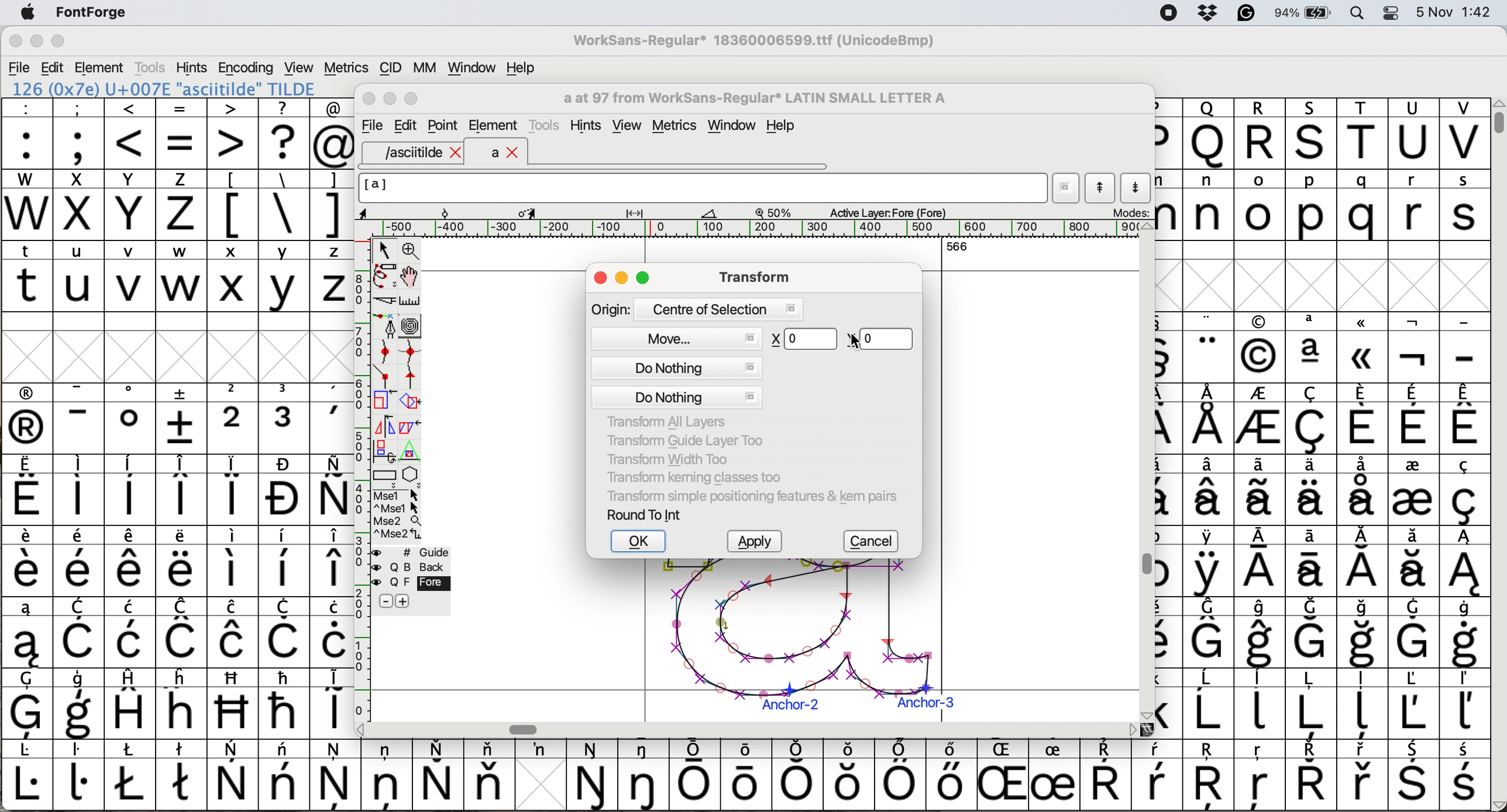 This screenshot has width=1507, height=812. I want to click on symbol, so click(82, 634).